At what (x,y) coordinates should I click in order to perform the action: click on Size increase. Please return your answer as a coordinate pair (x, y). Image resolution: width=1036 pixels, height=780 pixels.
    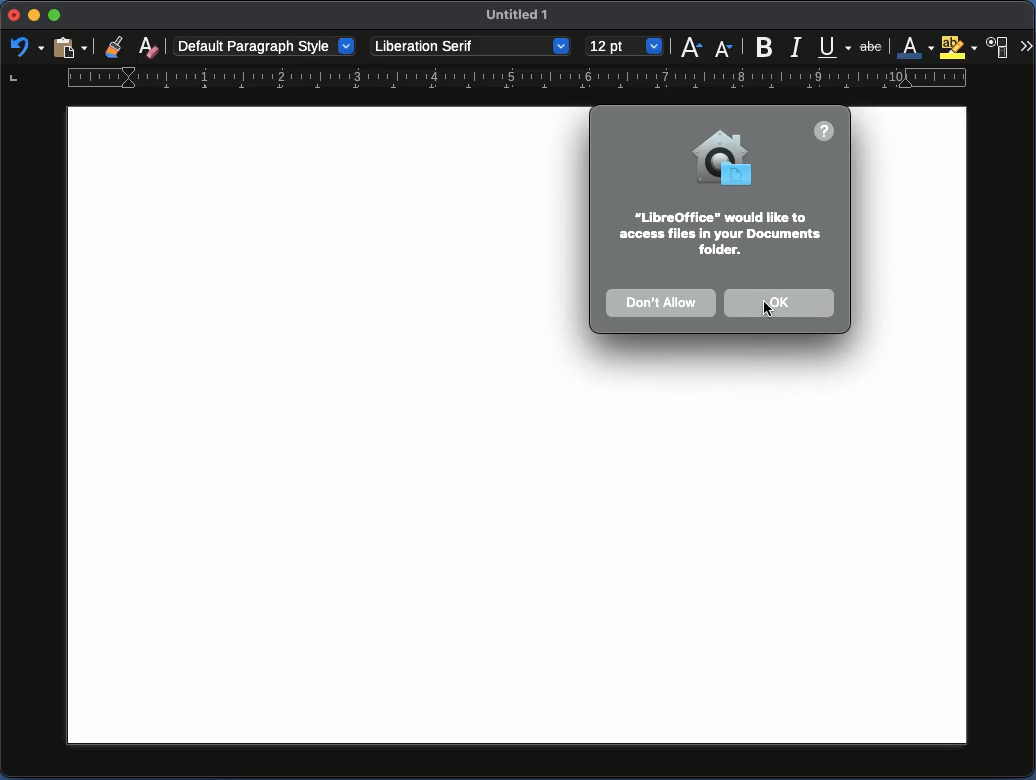
    Looking at the image, I should click on (693, 47).